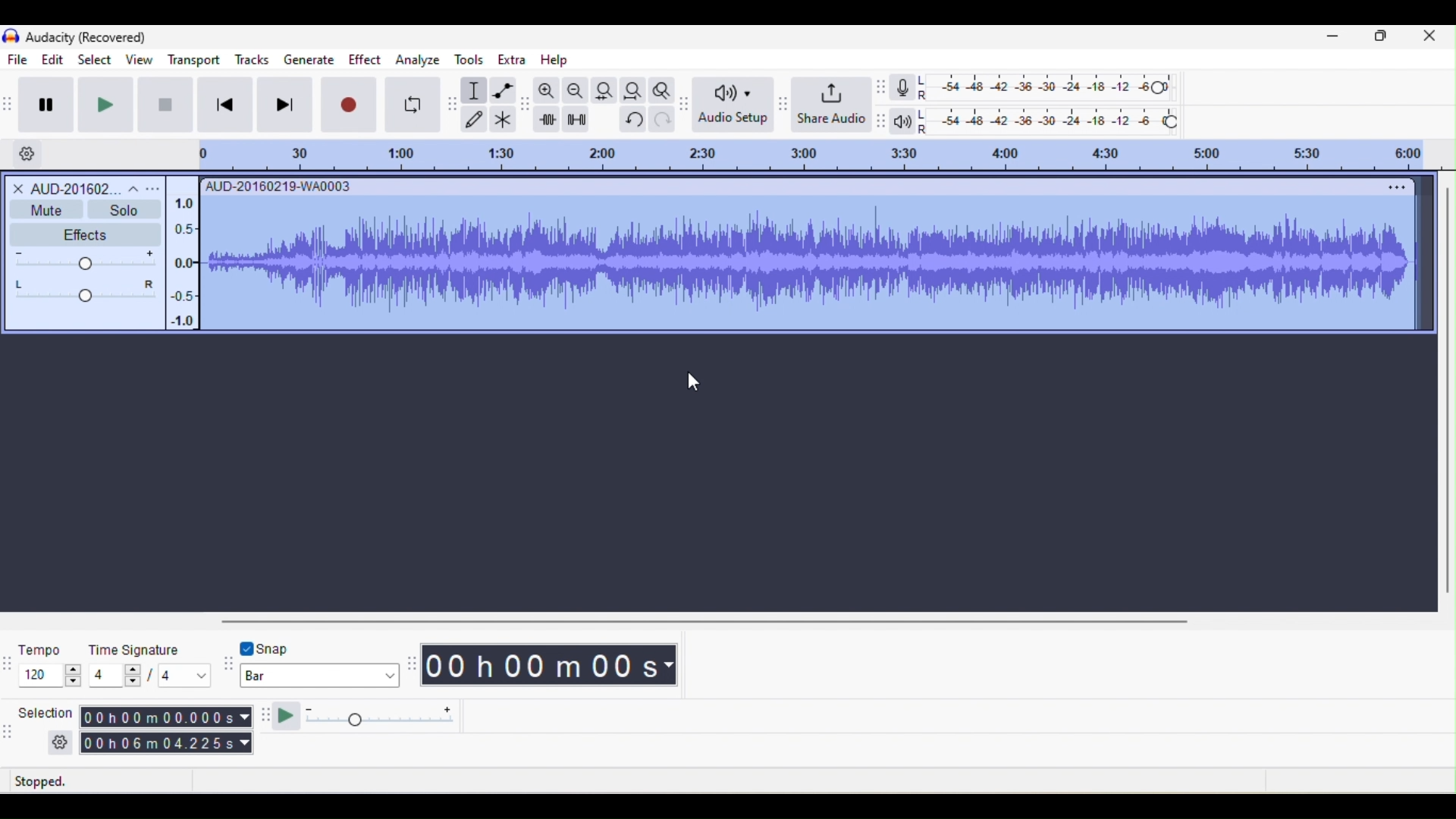 Image resolution: width=1456 pixels, height=819 pixels. Describe the element at coordinates (1445, 394) in the screenshot. I see `Vertical scroll bar` at that location.